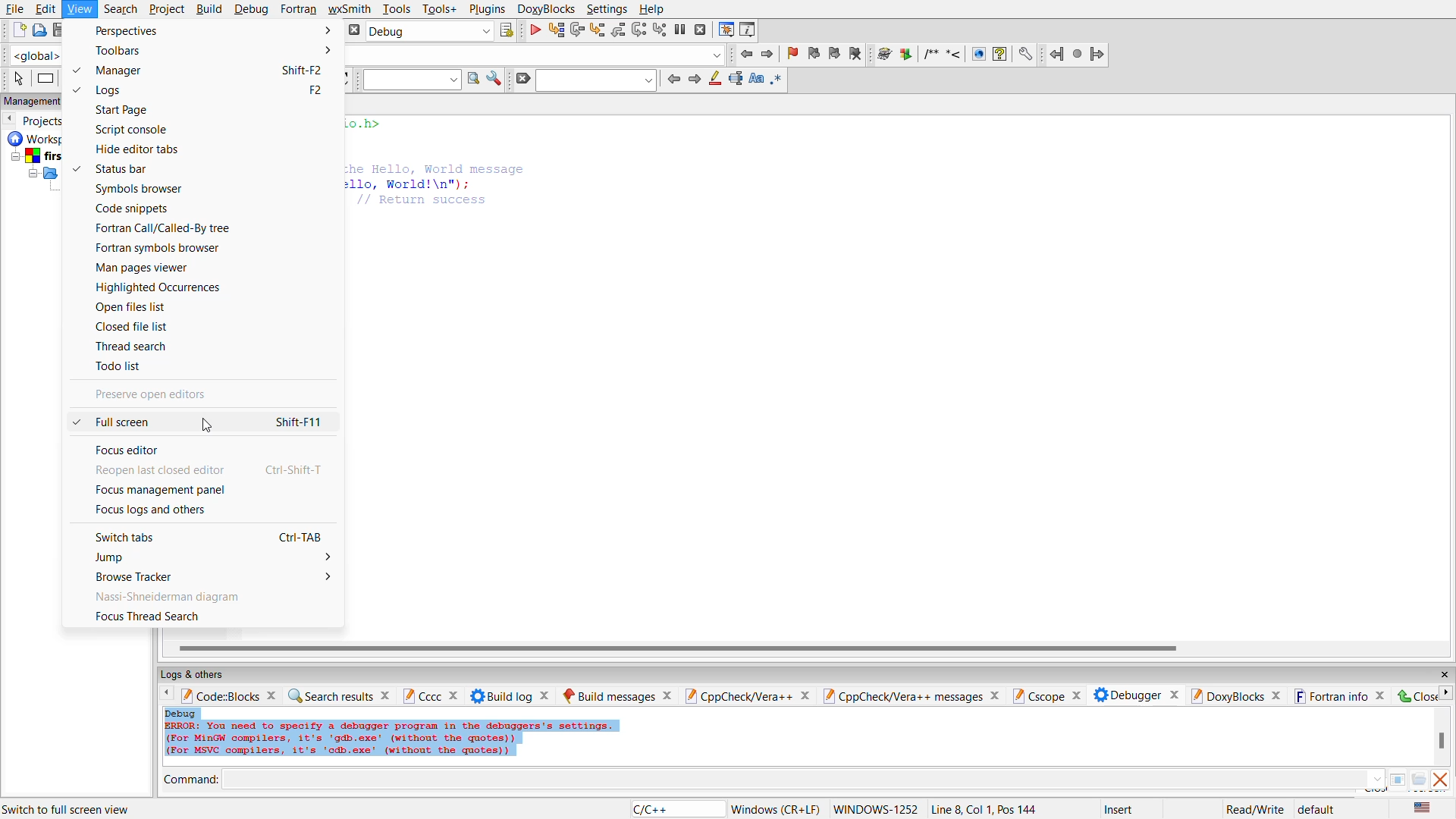  What do you see at coordinates (72, 424) in the screenshot?
I see `check` at bounding box center [72, 424].